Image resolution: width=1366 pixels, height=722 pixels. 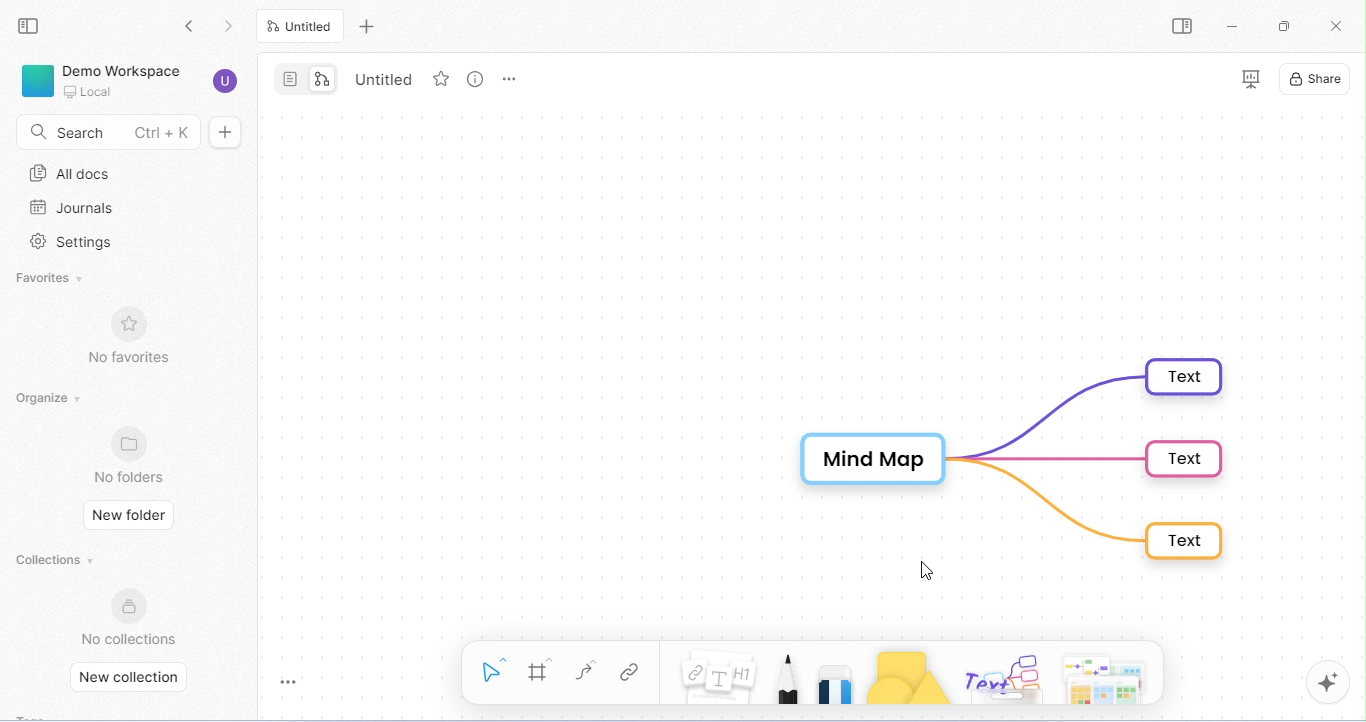 What do you see at coordinates (189, 25) in the screenshot?
I see `go back` at bounding box center [189, 25].